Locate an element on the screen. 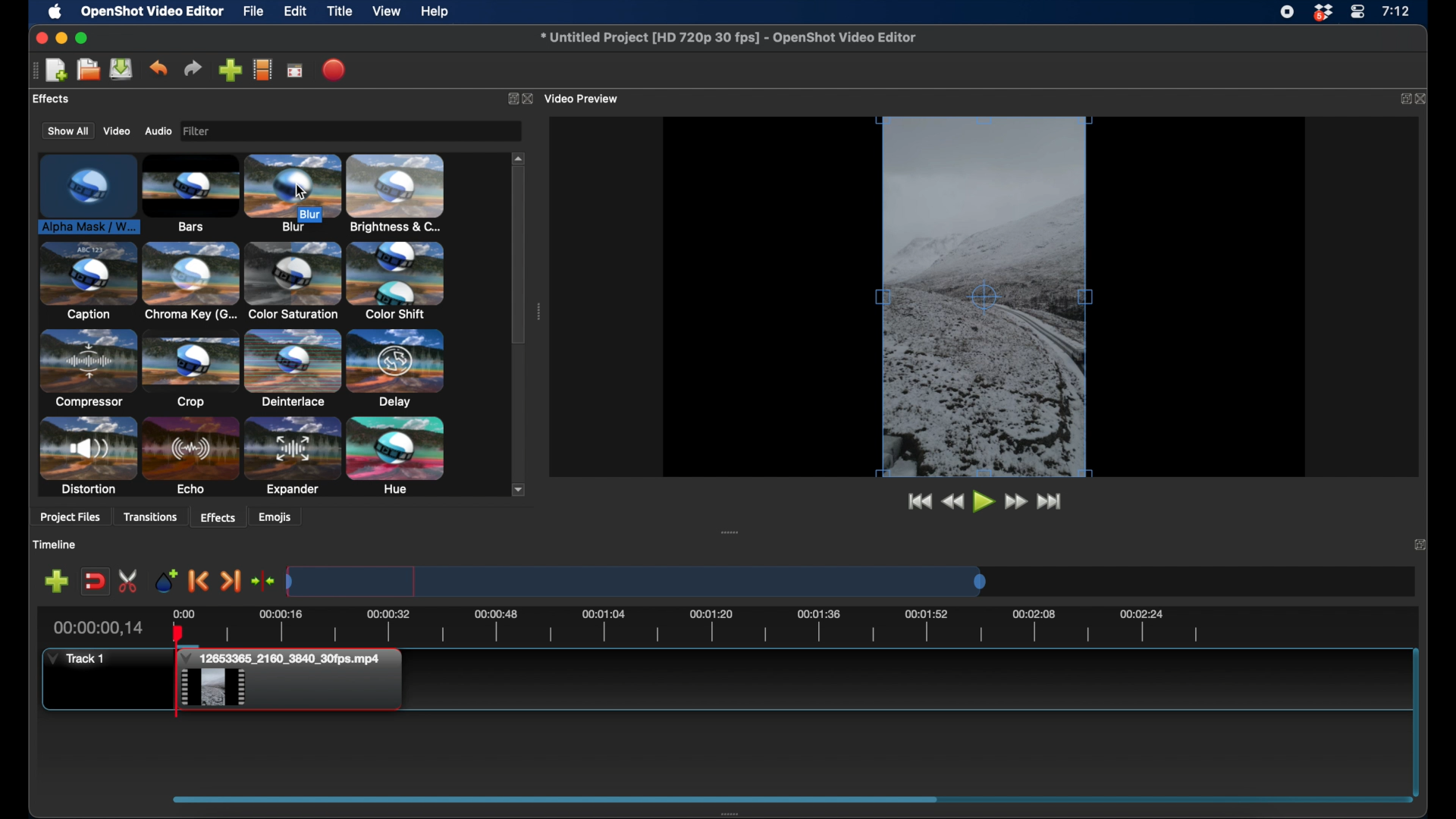 The height and width of the screenshot is (819, 1456). brightness & contrast is located at coordinates (396, 193).